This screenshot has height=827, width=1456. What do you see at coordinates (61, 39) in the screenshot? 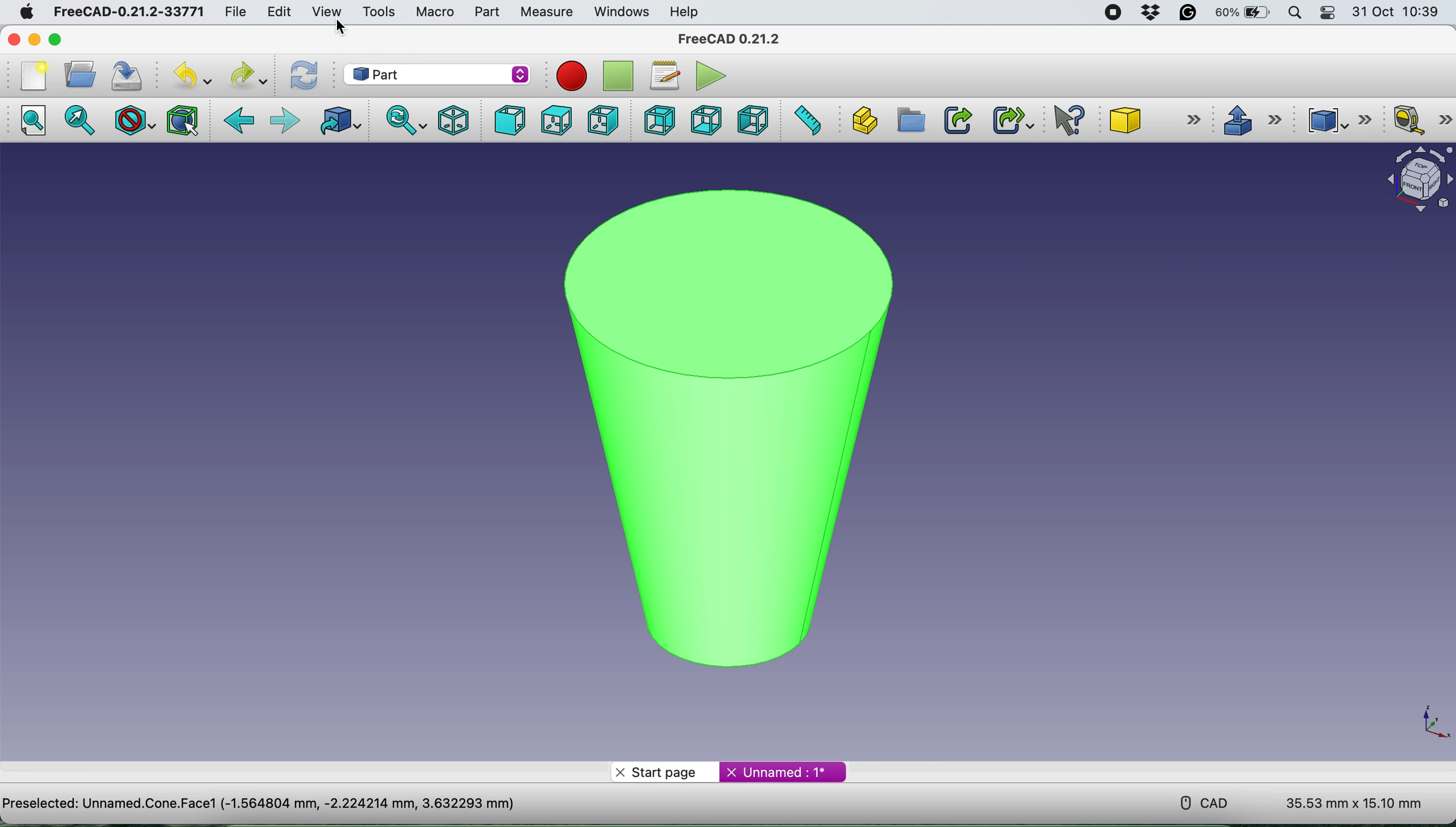
I see `maximise` at bounding box center [61, 39].